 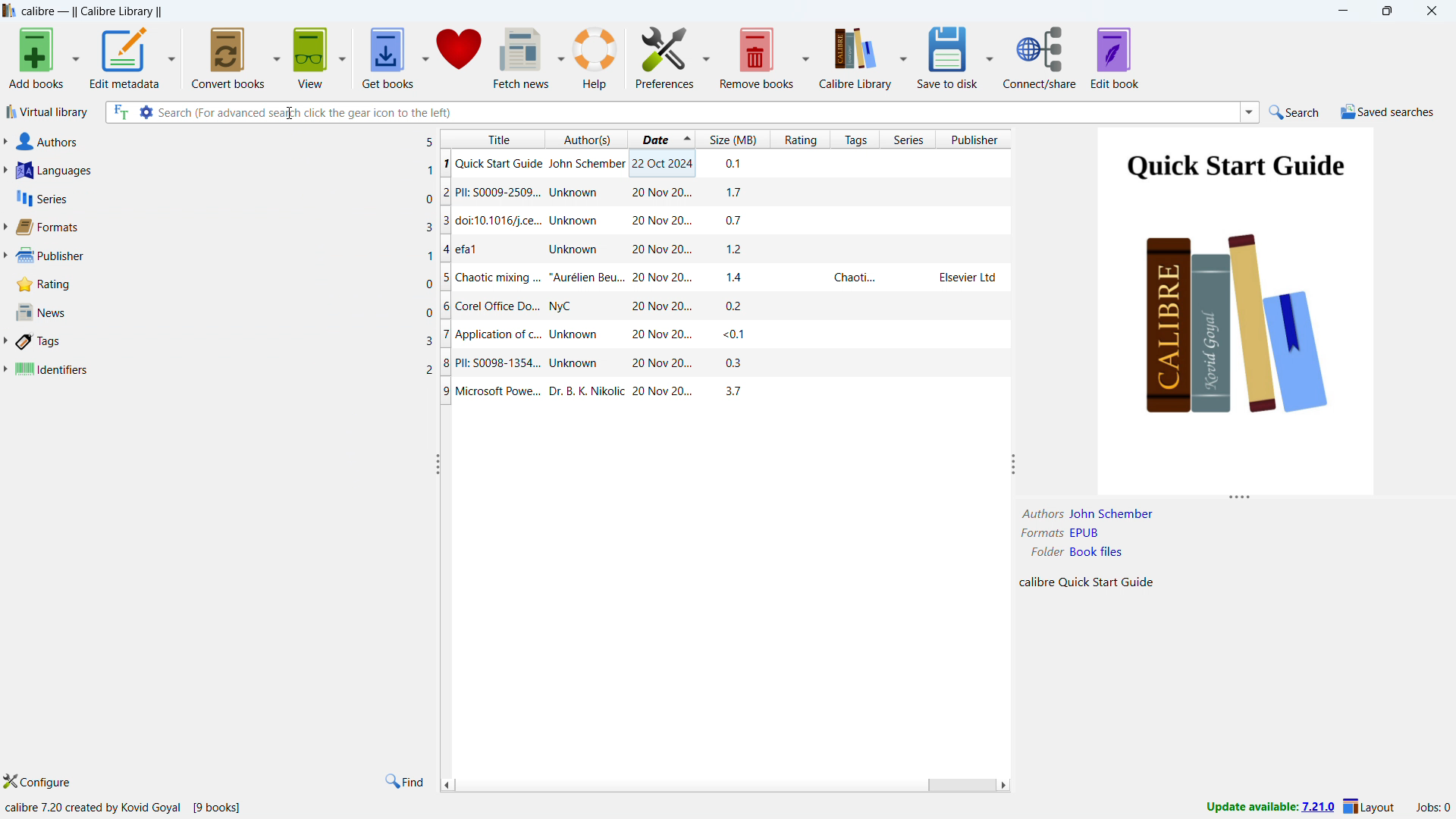 What do you see at coordinates (733, 139) in the screenshot?
I see `sort by size` at bounding box center [733, 139].